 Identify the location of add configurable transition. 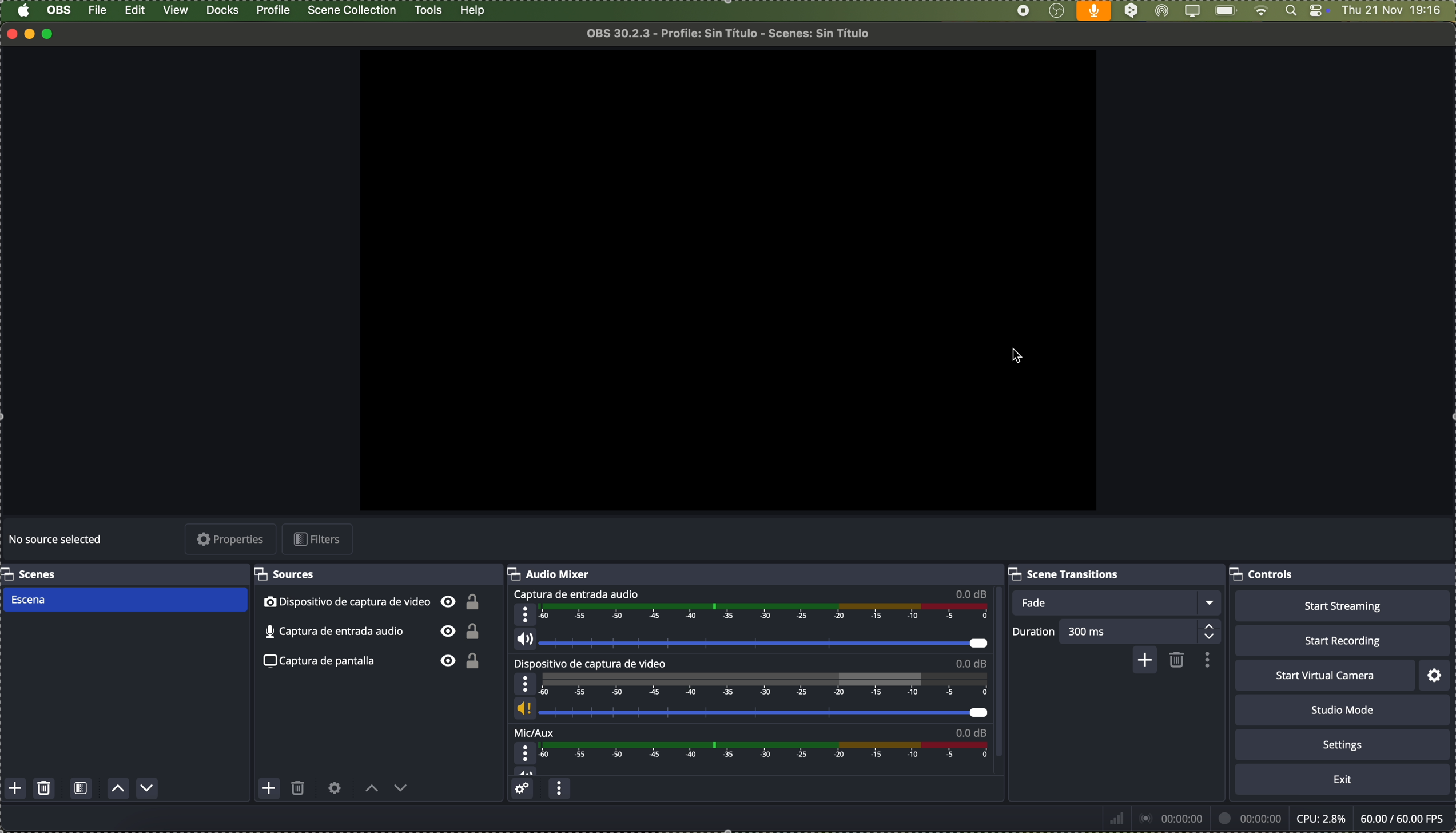
(1143, 661).